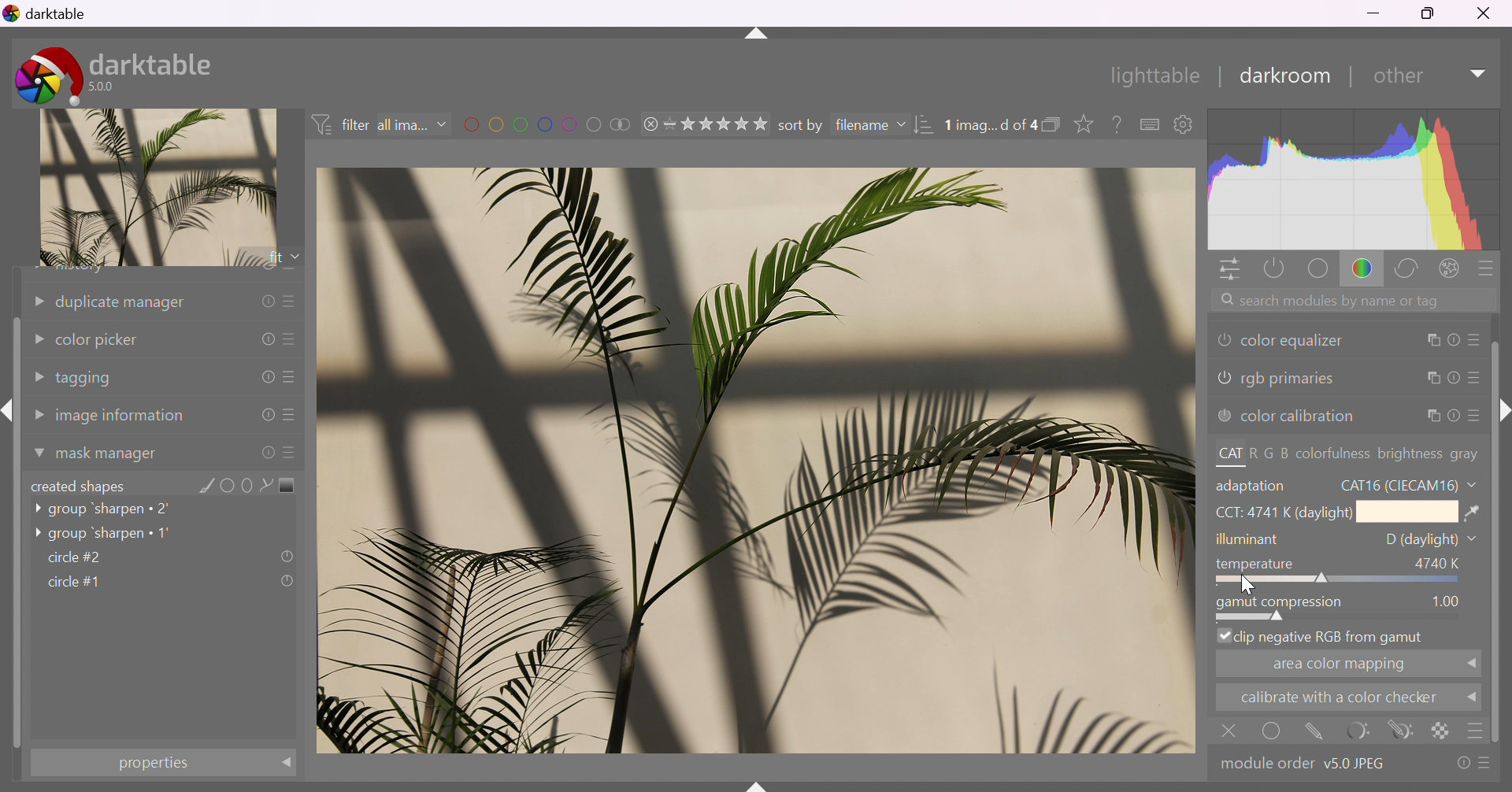 Image resolution: width=1512 pixels, height=792 pixels. I want to click on navigate, so click(1397, 731).